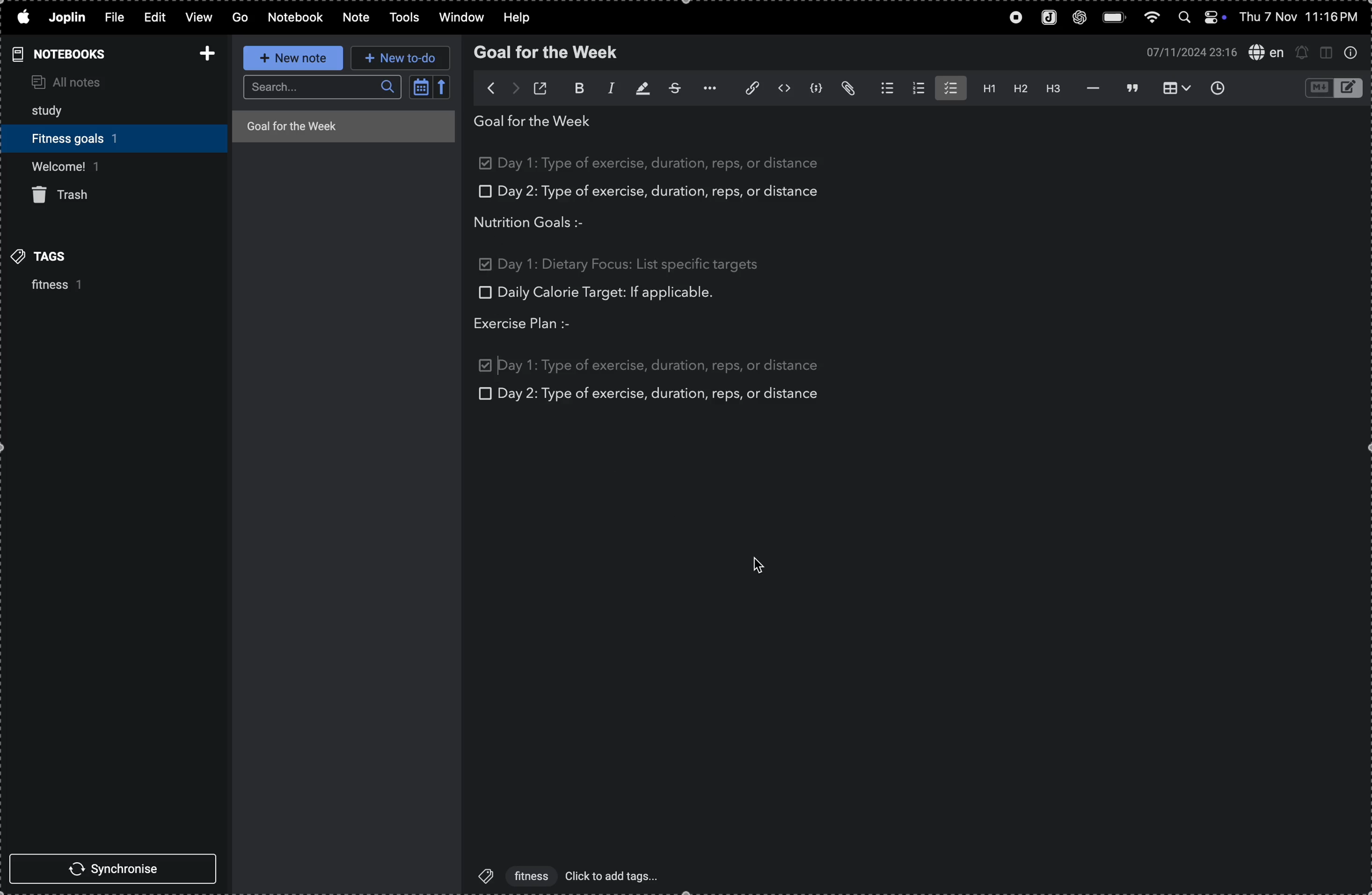 The width and height of the screenshot is (1372, 895). I want to click on toggle editors, so click(1330, 88).